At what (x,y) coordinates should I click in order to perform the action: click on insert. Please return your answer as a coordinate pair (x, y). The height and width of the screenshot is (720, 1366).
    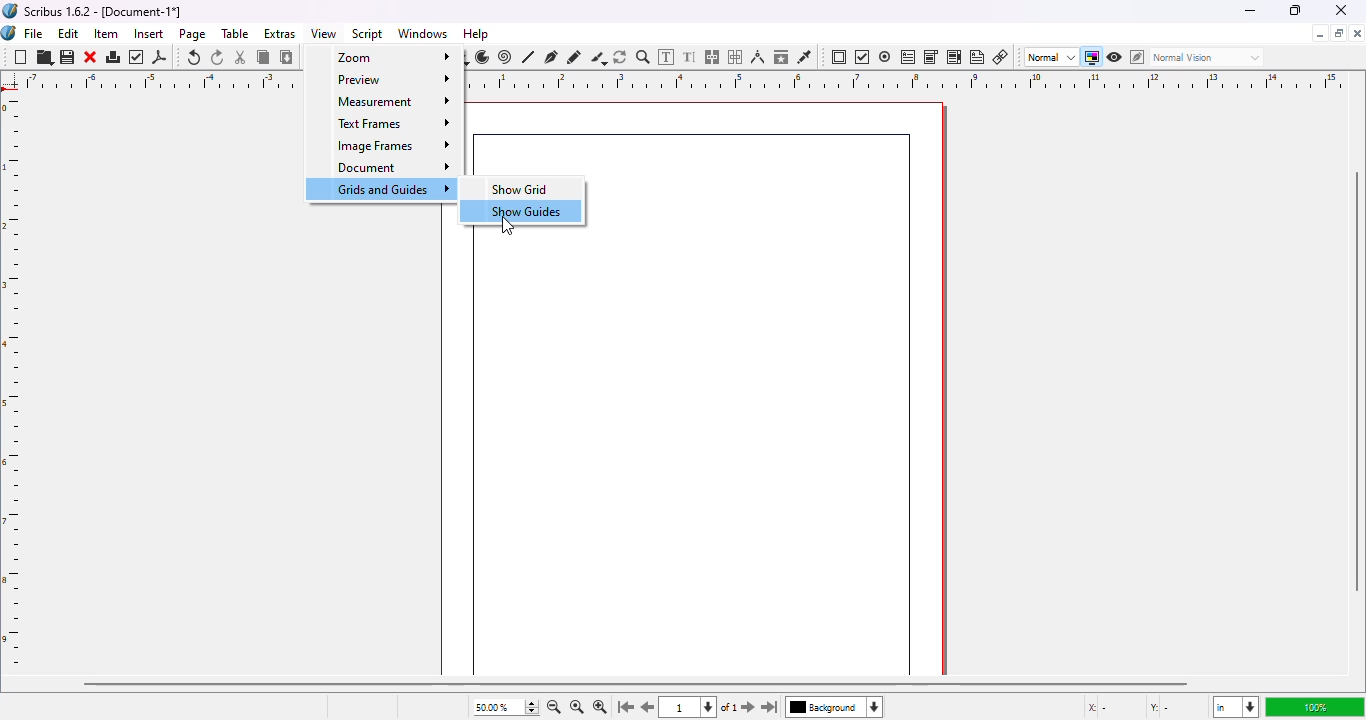
    Looking at the image, I should click on (149, 33).